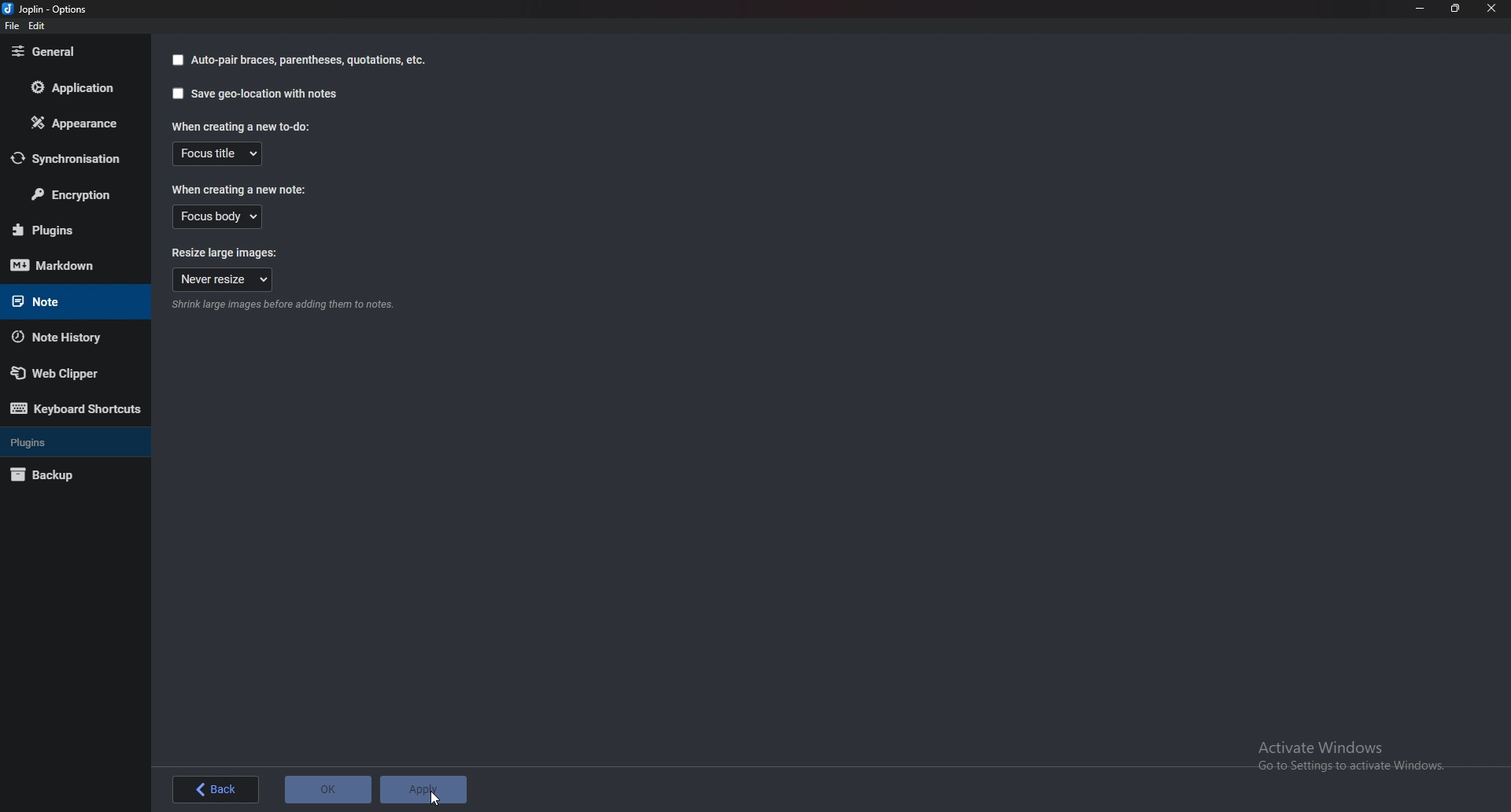 The width and height of the screenshot is (1511, 812). What do you see at coordinates (177, 61) in the screenshot?
I see `Checkbox ` at bounding box center [177, 61].